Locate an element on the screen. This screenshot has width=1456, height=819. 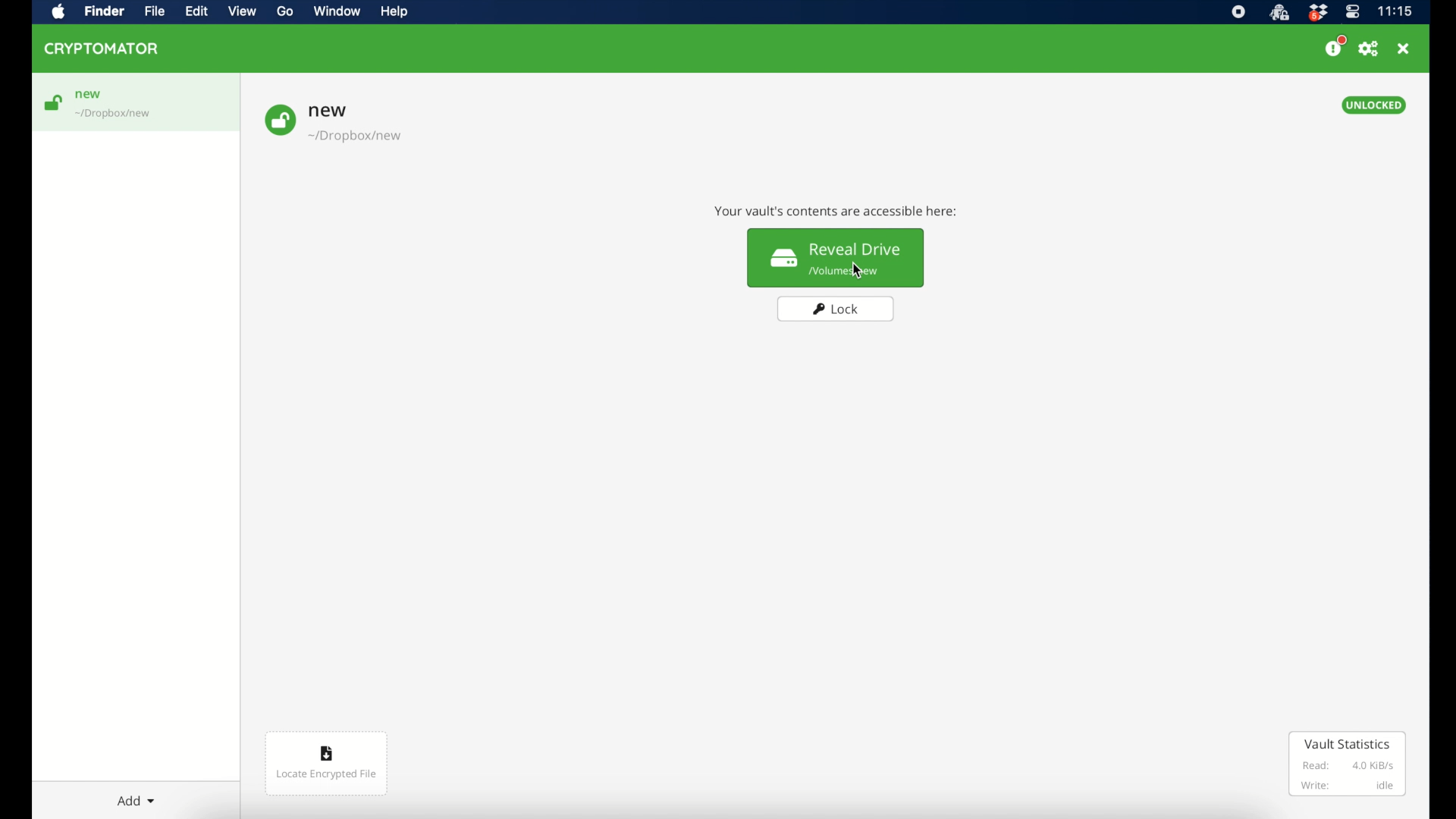
finder is located at coordinates (104, 11).